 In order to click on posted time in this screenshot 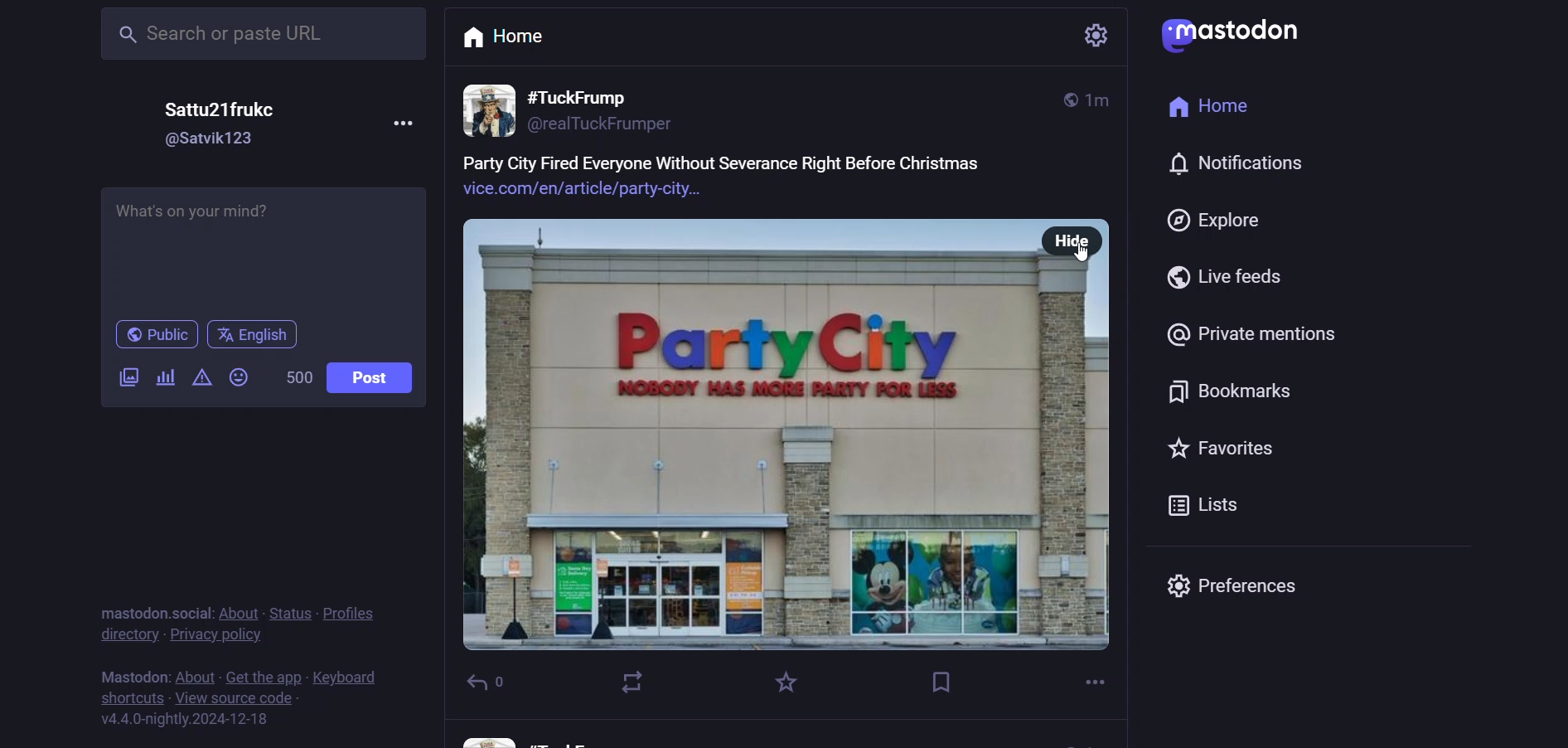, I will do `click(1102, 99)`.